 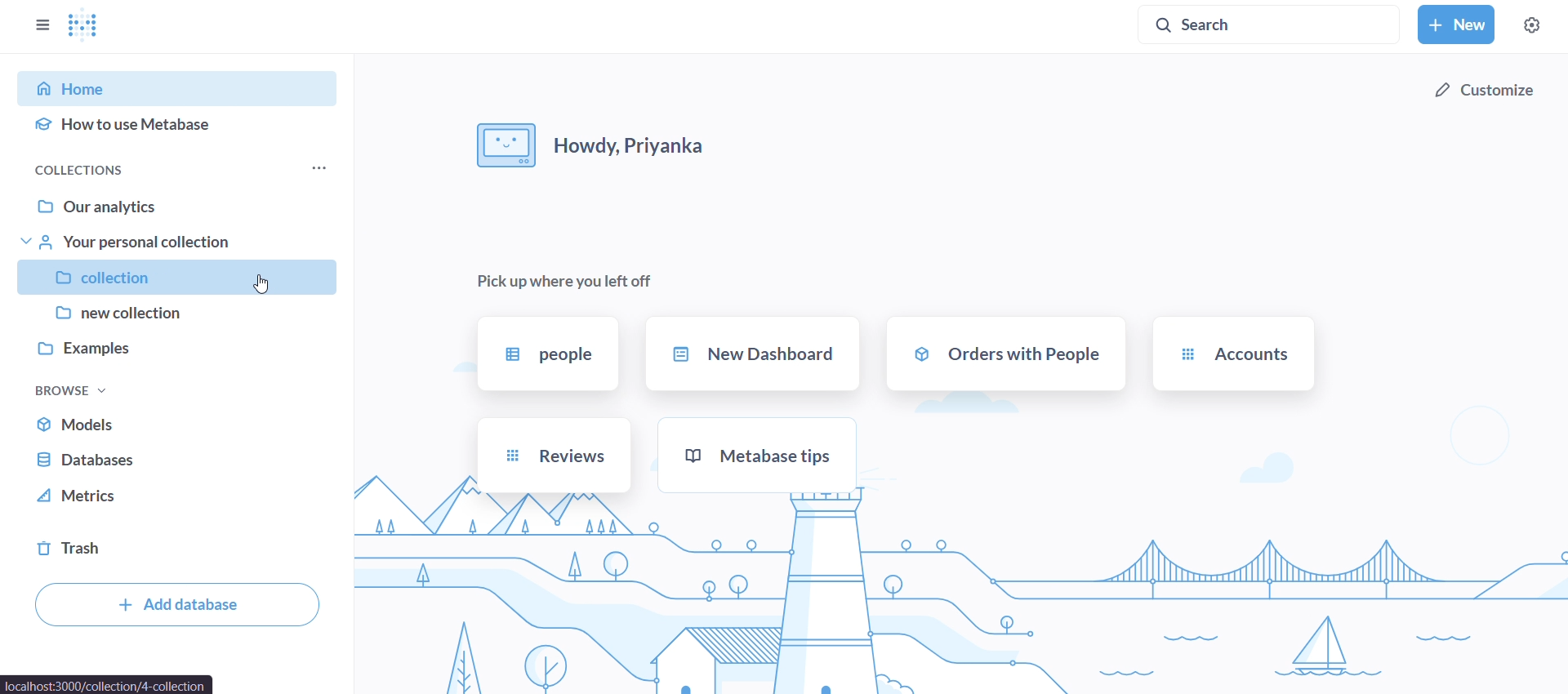 I want to click on how to use metabase, so click(x=180, y=129).